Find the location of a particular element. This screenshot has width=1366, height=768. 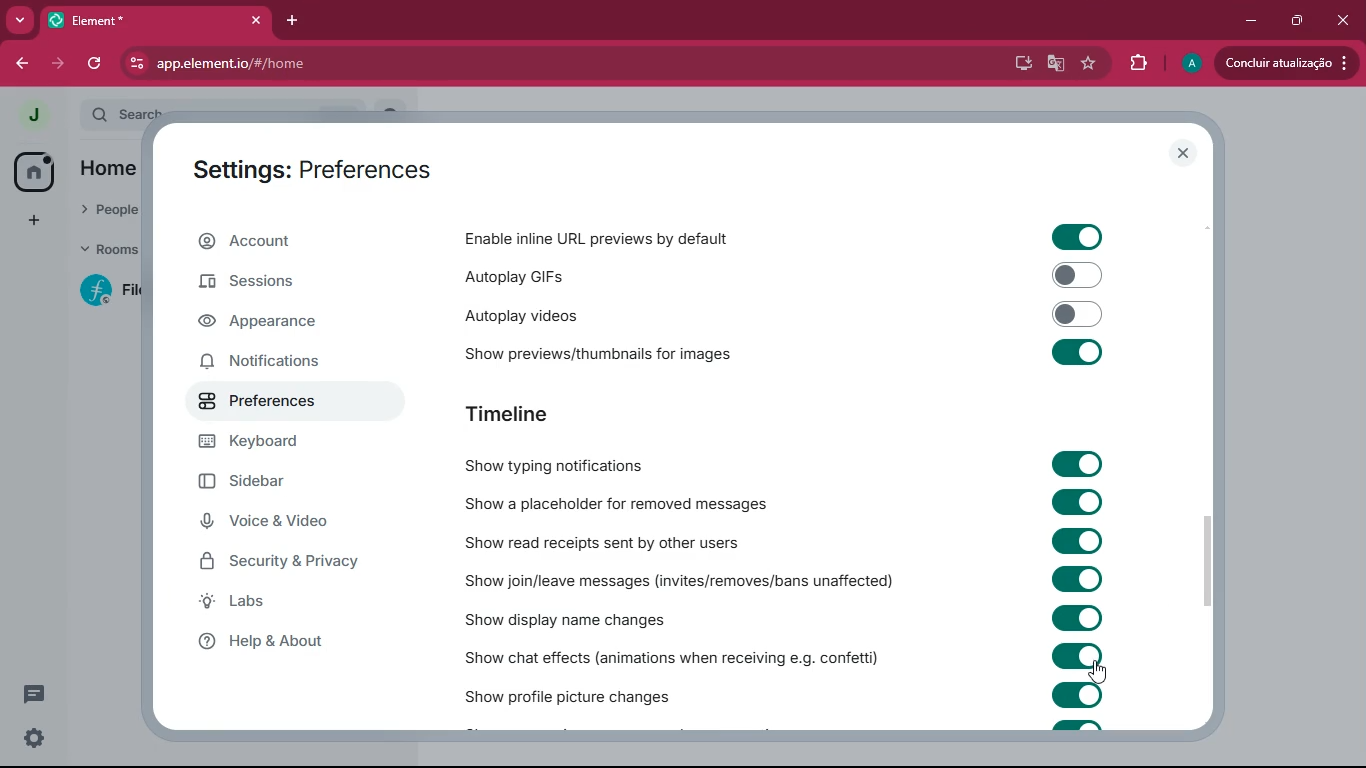

app.element.io/#/home is located at coordinates (342, 62).